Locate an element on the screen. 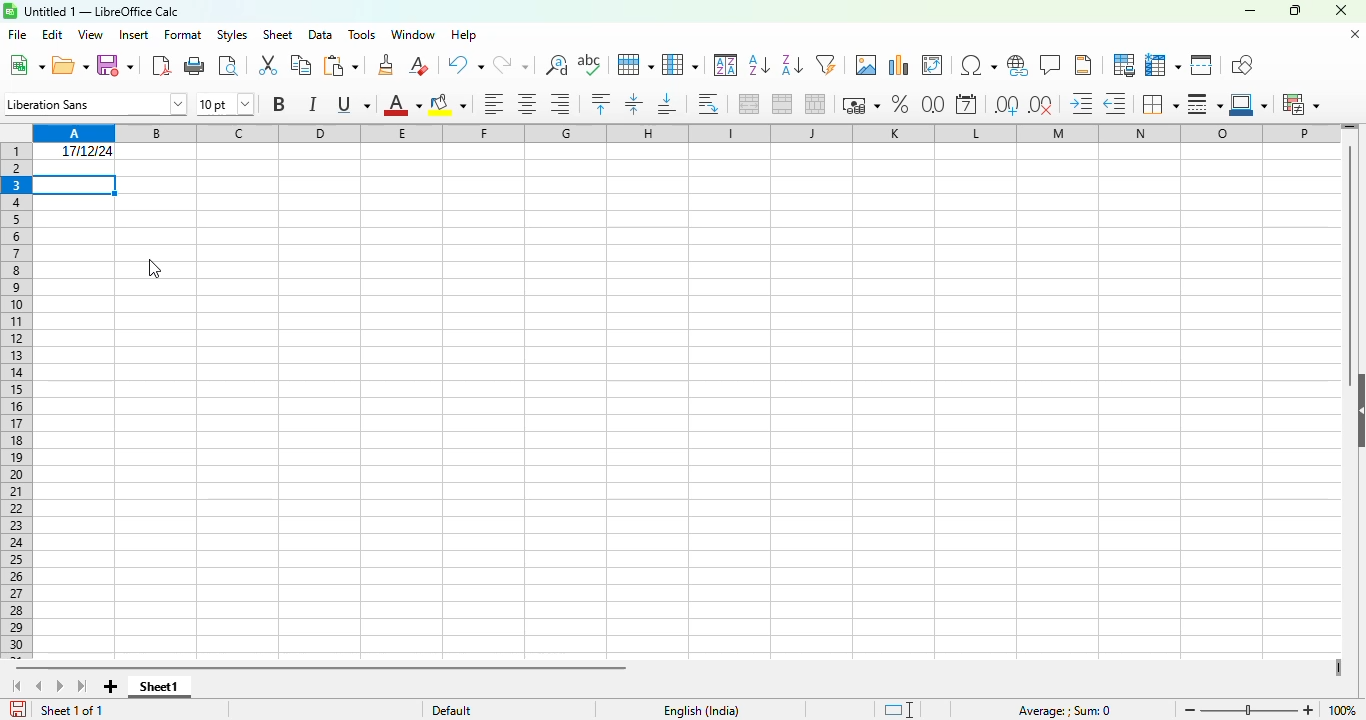  insert comment is located at coordinates (1051, 65).